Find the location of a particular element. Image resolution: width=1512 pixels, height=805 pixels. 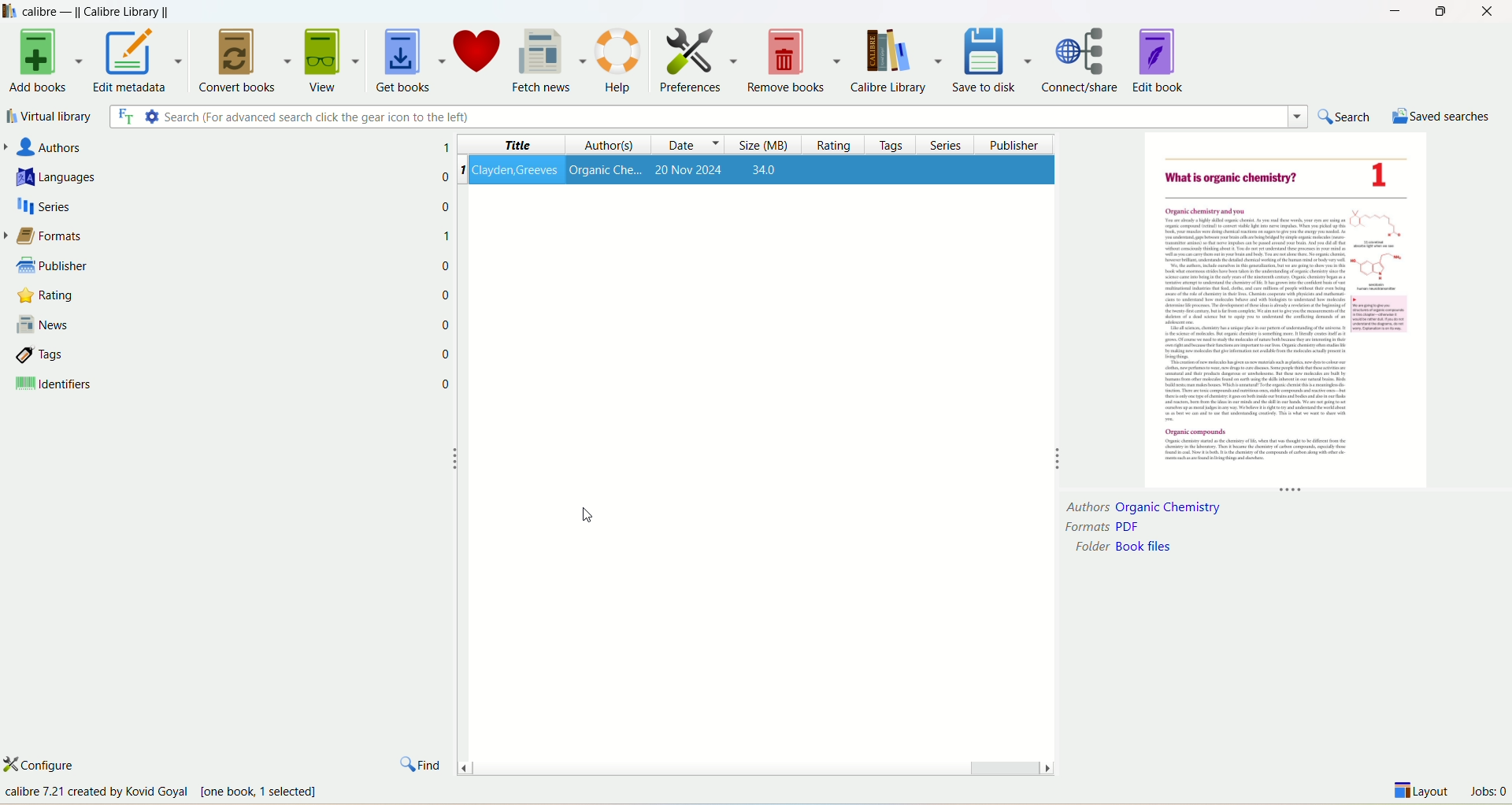

cursor is located at coordinates (587, 516).